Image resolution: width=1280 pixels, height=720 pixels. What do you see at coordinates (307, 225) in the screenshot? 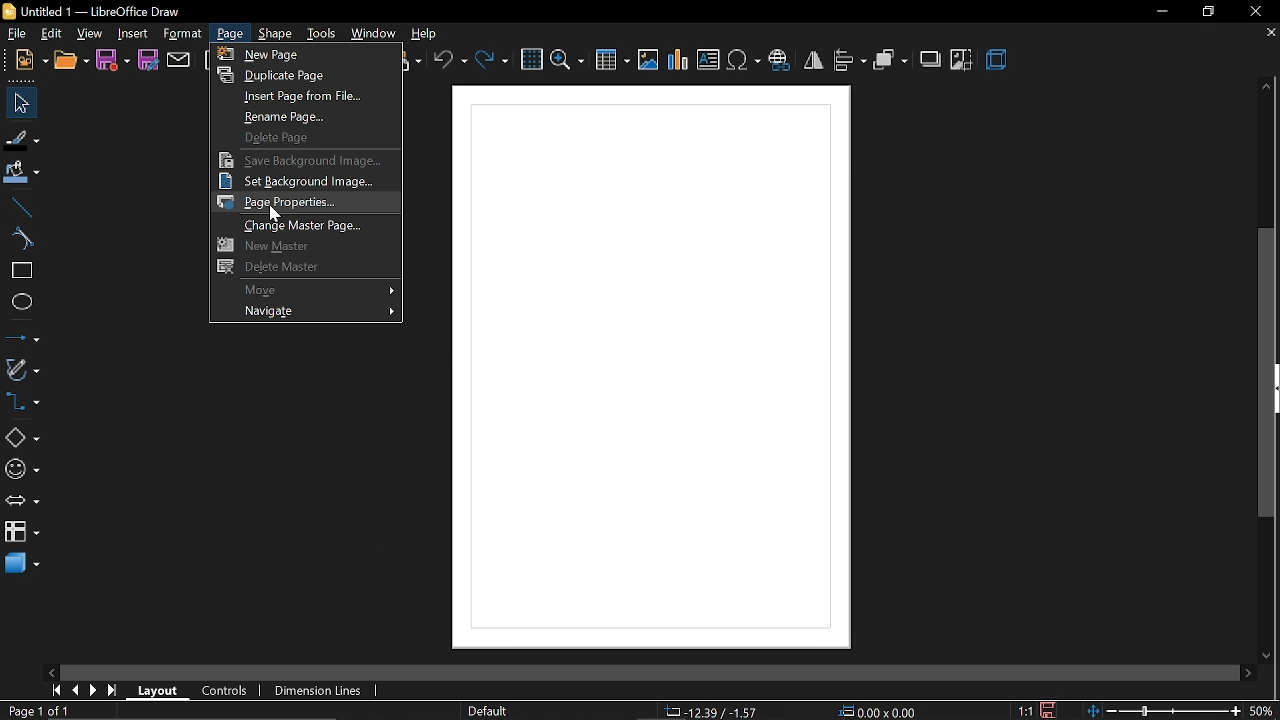
I see `change master page` at bounding box center [307, 225].